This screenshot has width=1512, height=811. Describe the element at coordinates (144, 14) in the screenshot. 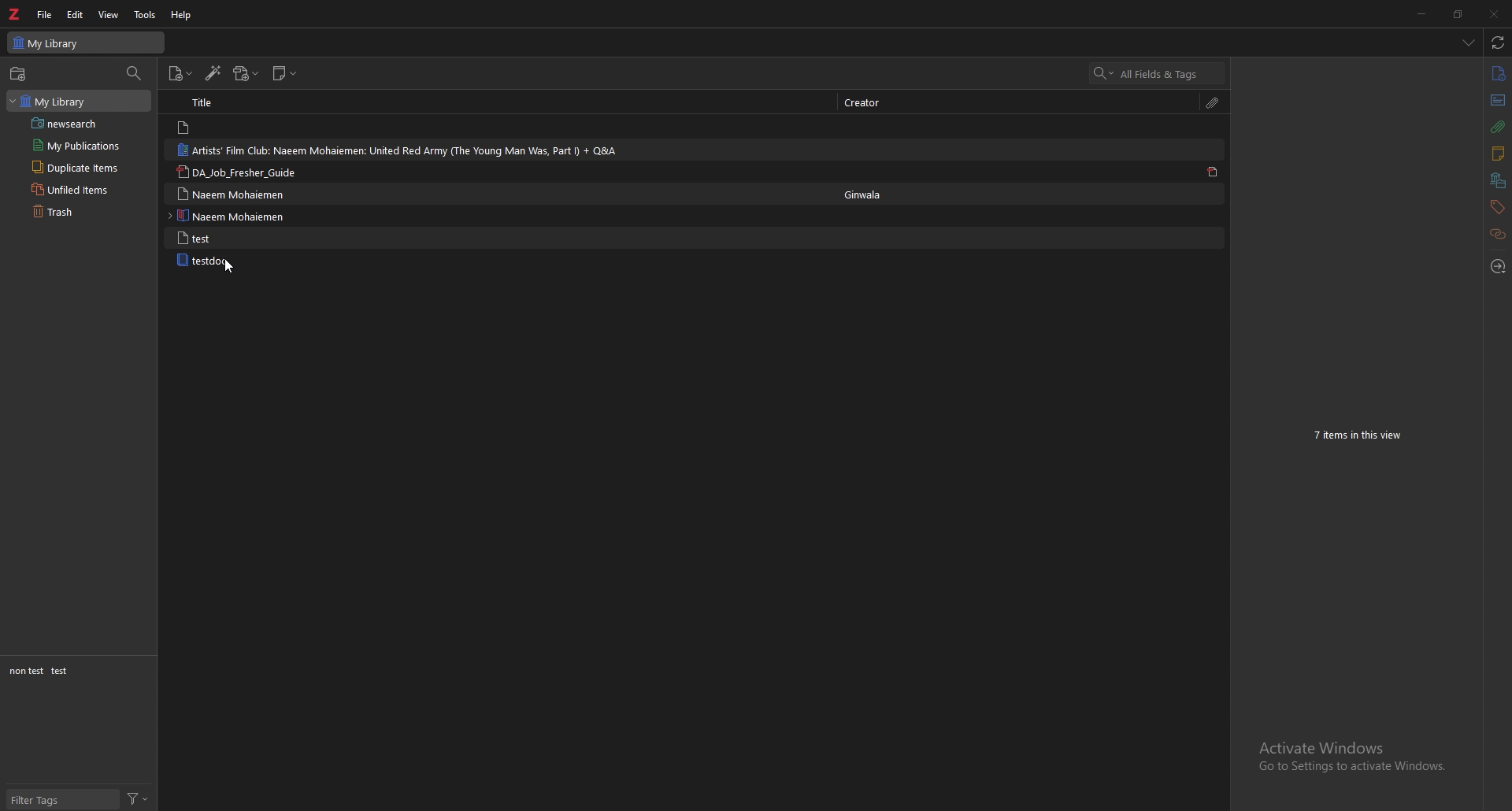

I see `tools` at that location.